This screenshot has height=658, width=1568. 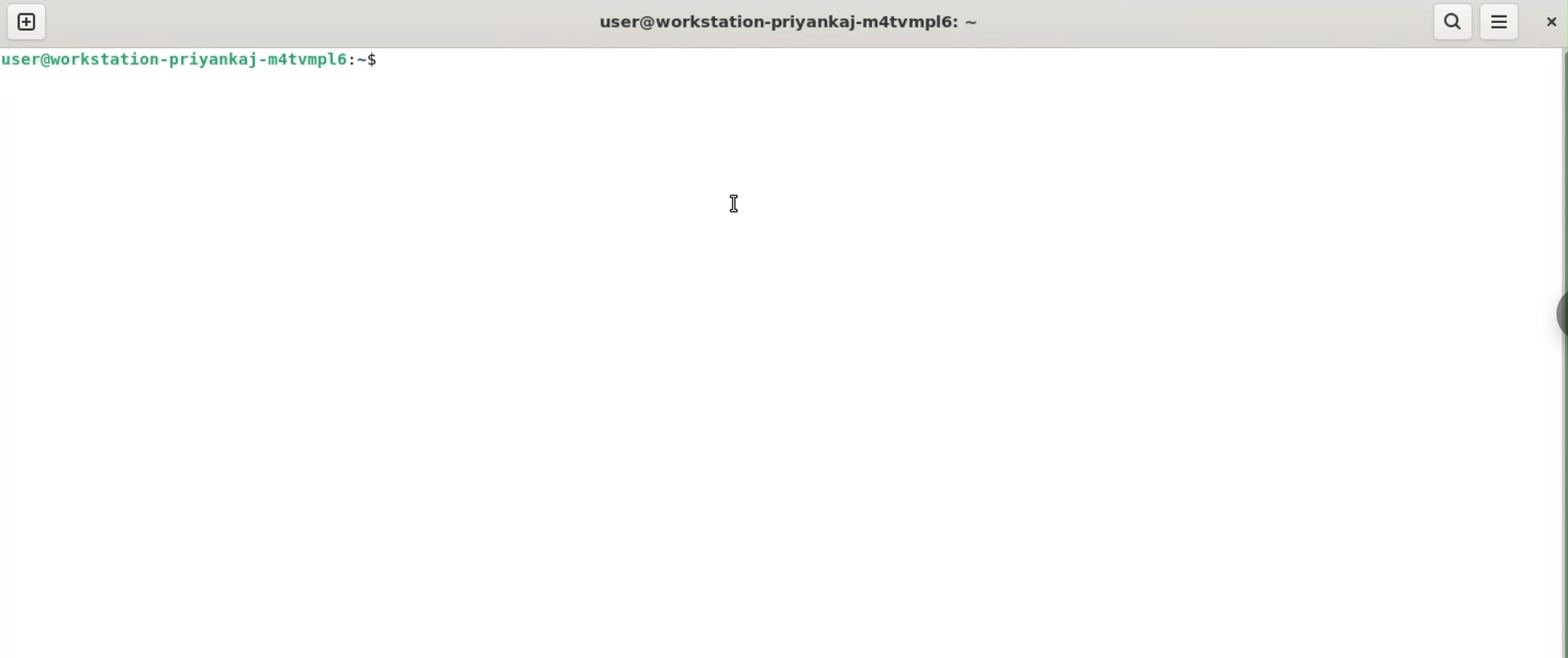 What do you see at coordinates (1452, 21) in the screenshot?
I see `search` at bounding box center [1452, 21].